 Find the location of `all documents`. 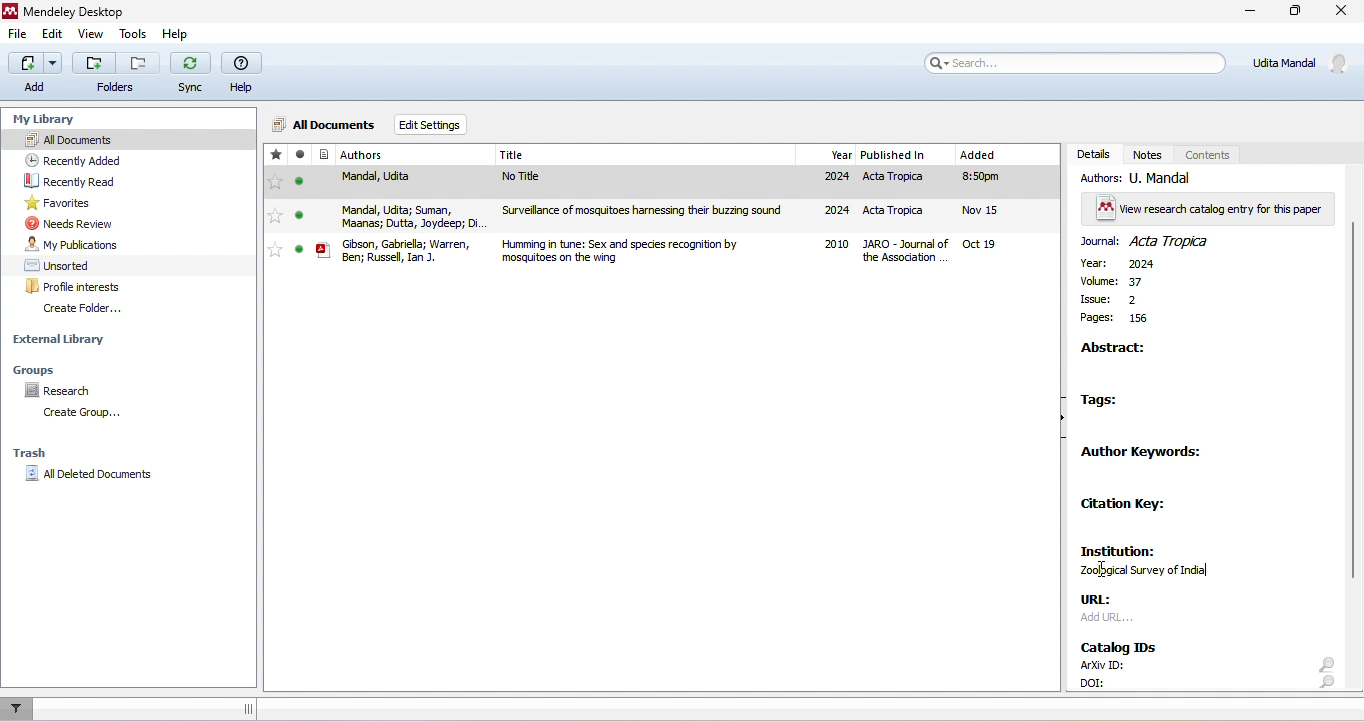

all documents is located at coordinates (323, 127).